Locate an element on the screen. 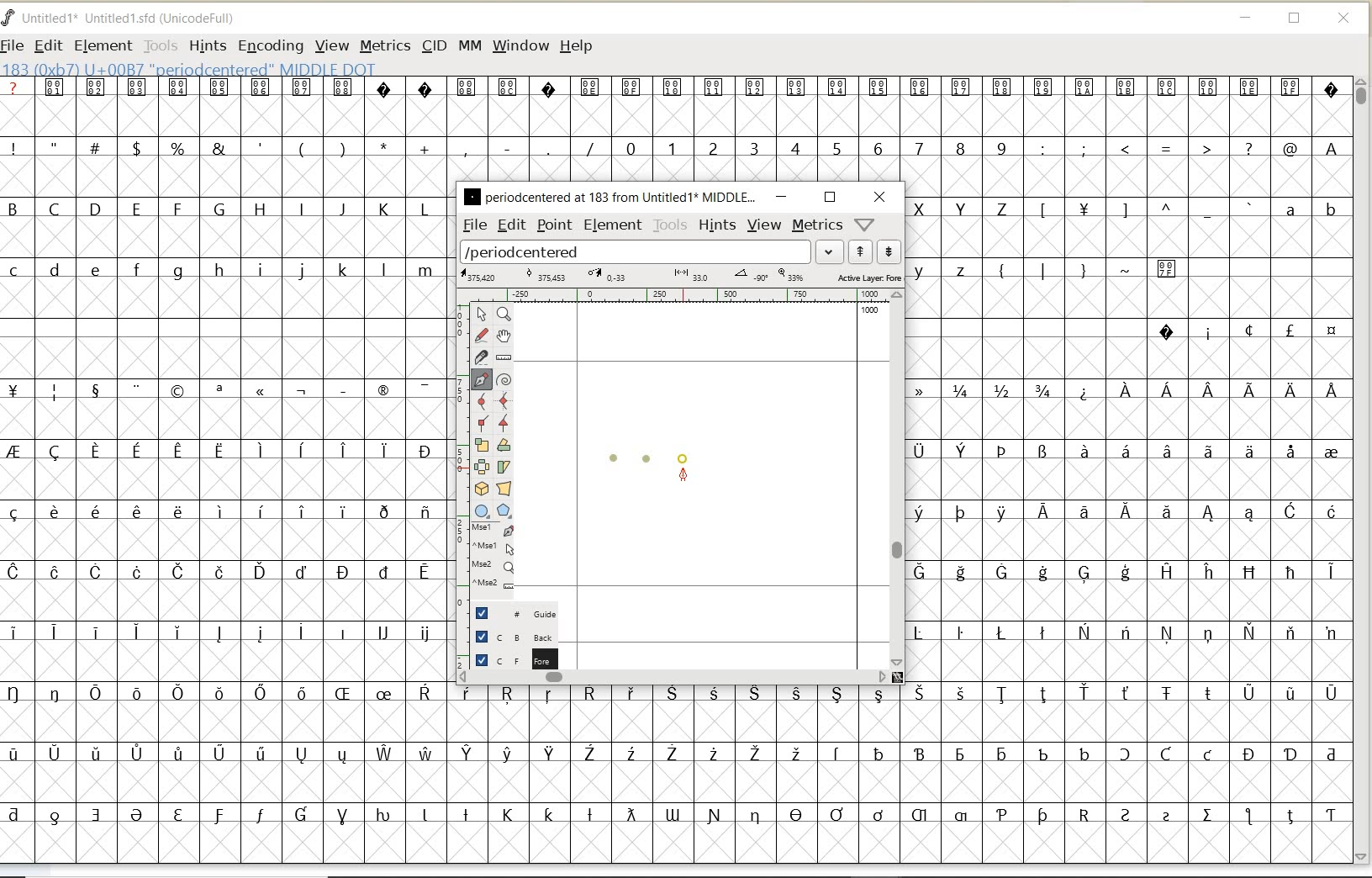  tools is located at coordinates (670, 225).